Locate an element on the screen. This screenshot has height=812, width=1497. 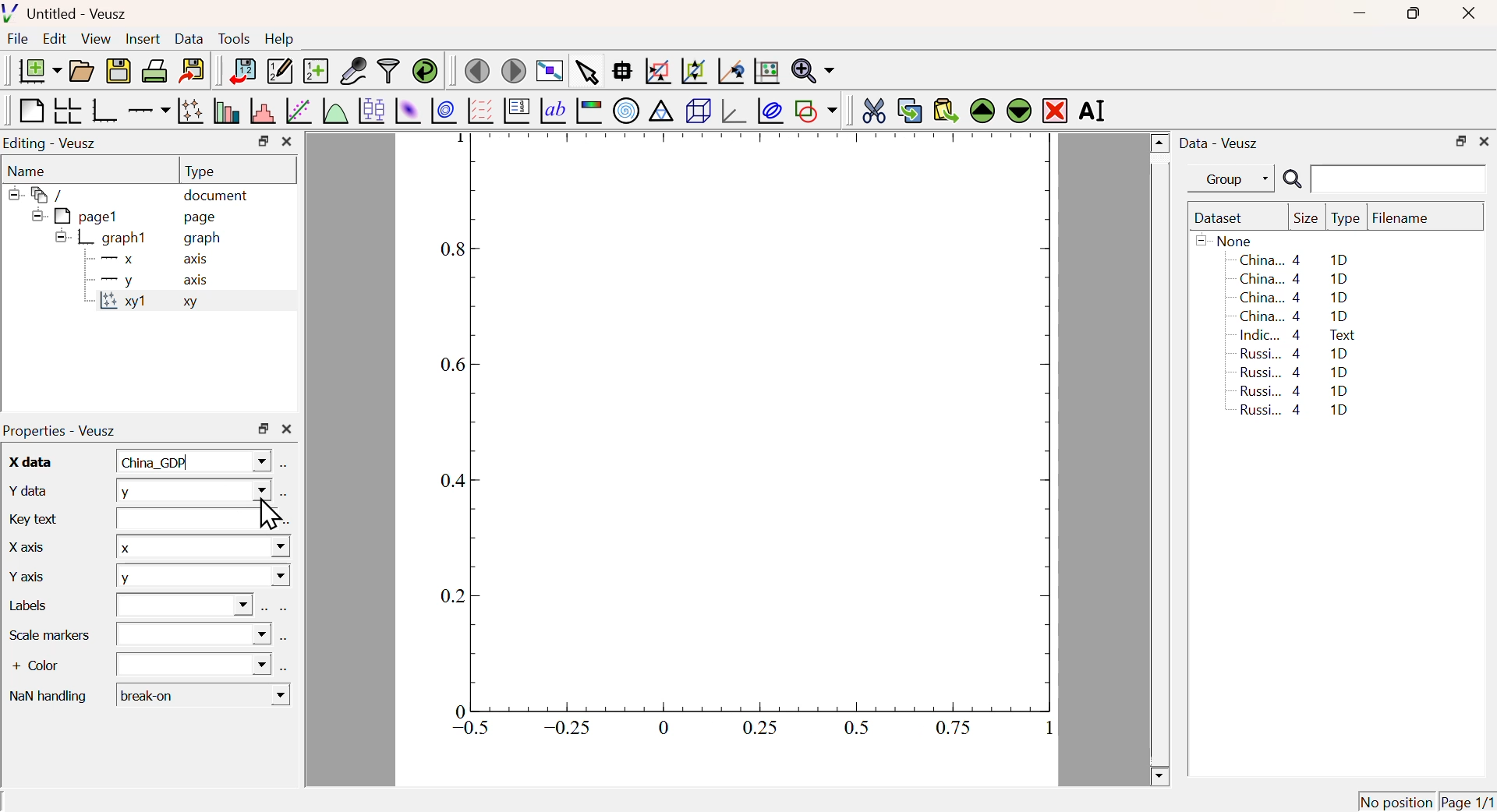
Add a shape is located at coordinates (816, 110).